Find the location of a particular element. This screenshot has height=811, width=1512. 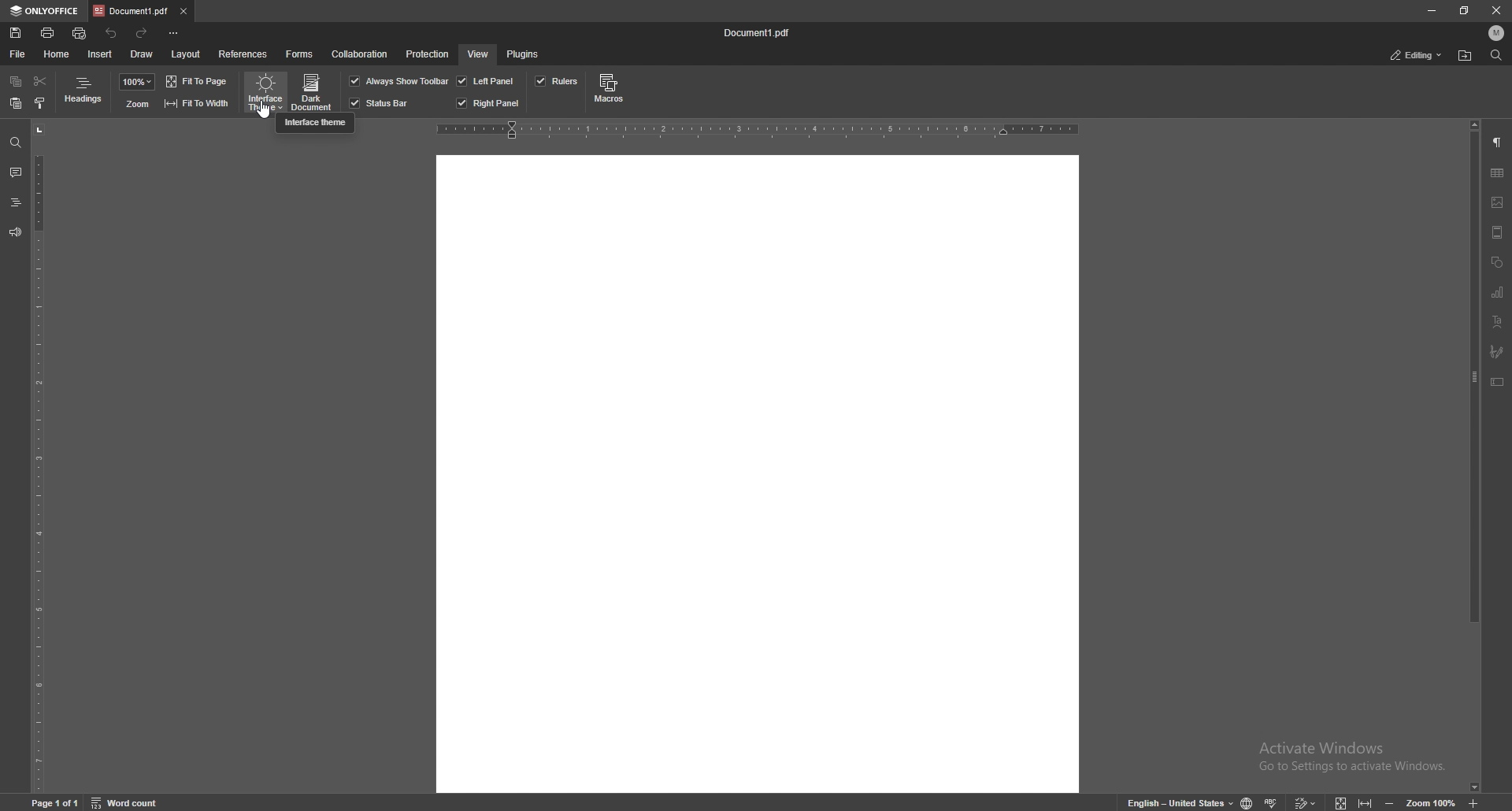

word count is located at coordinates (128, 802).